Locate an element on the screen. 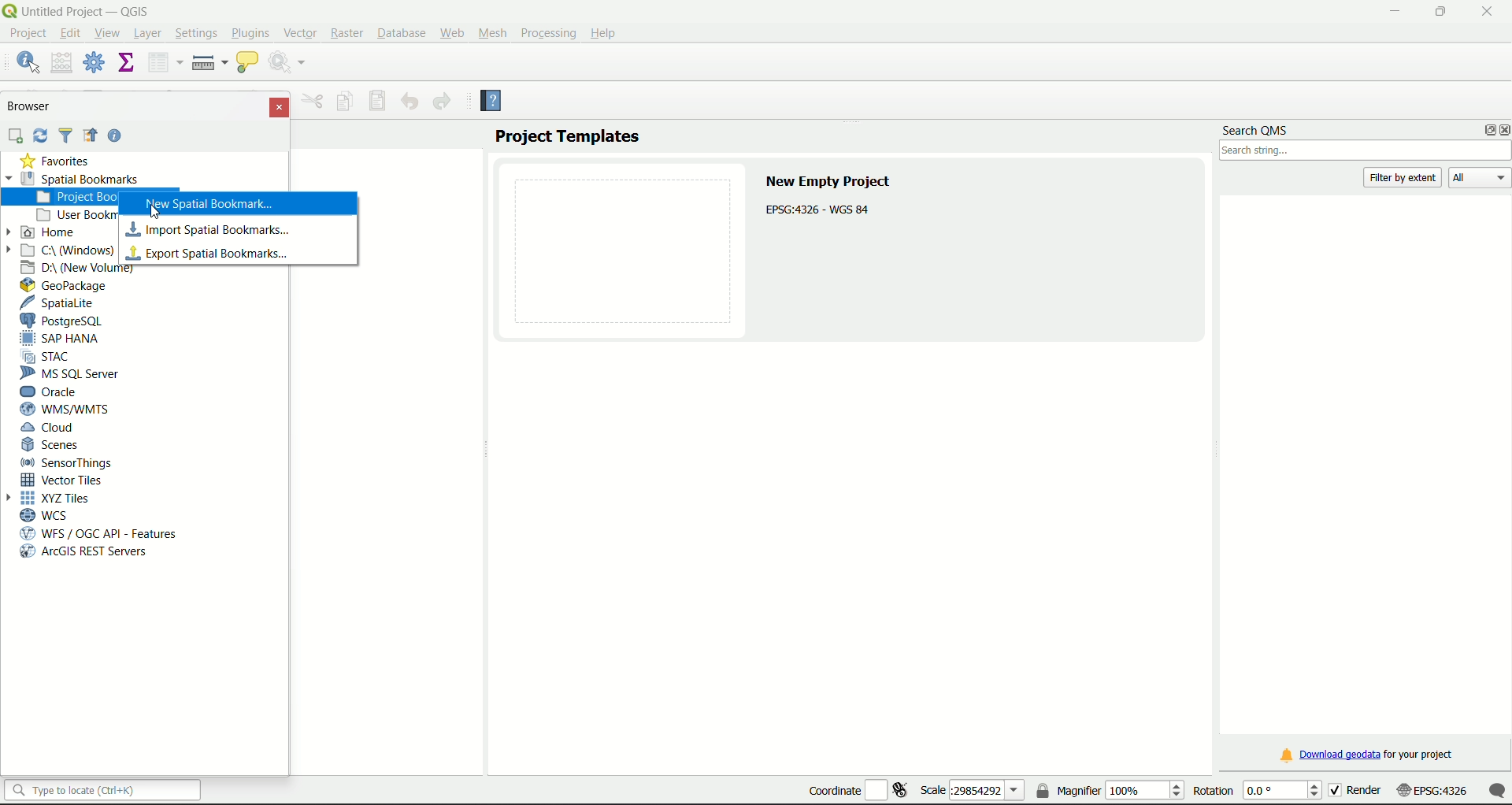  Filter is located at coordinates (66, 136).